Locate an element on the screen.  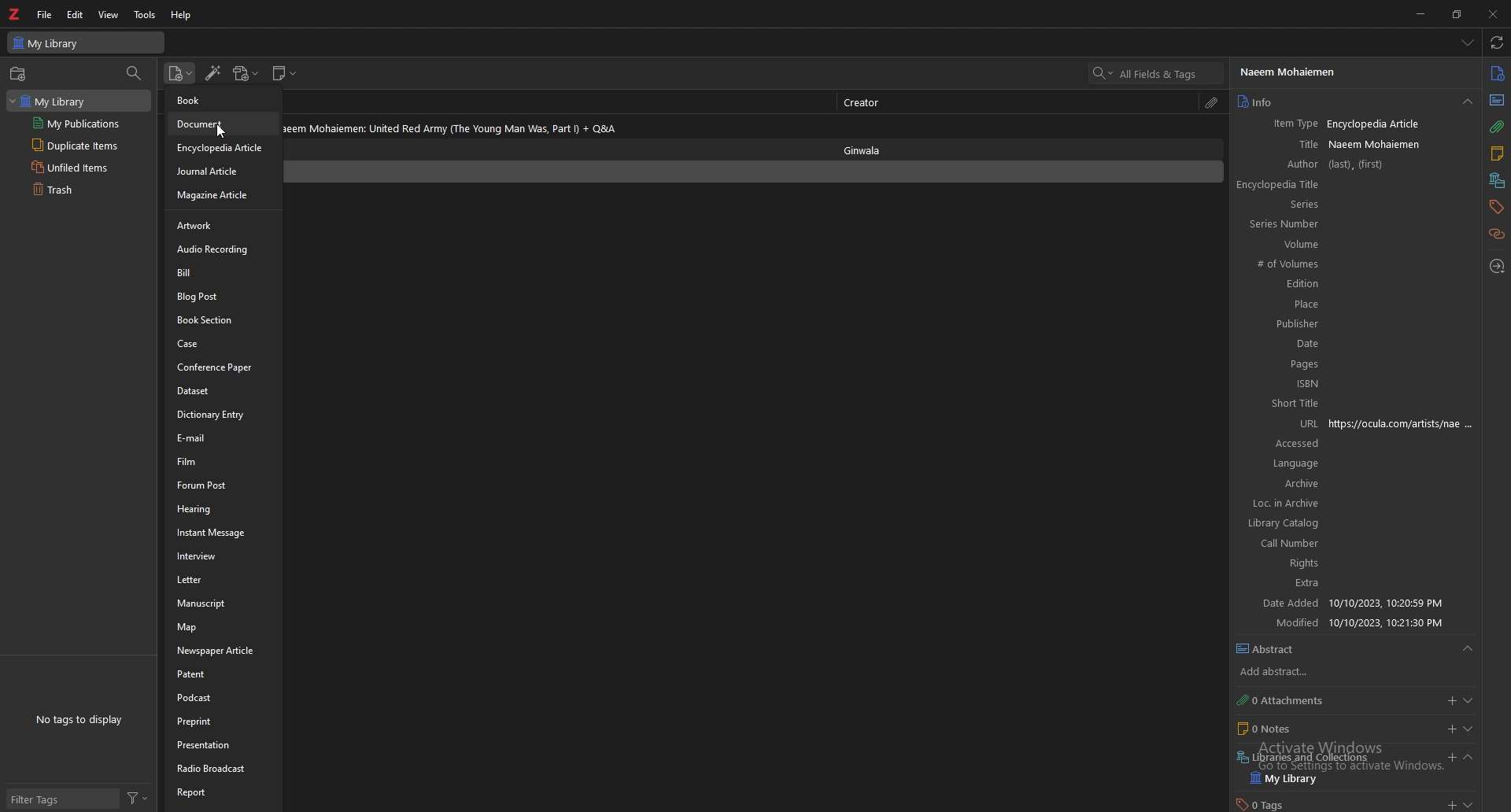
new collection is located at coordinates (20, 74).